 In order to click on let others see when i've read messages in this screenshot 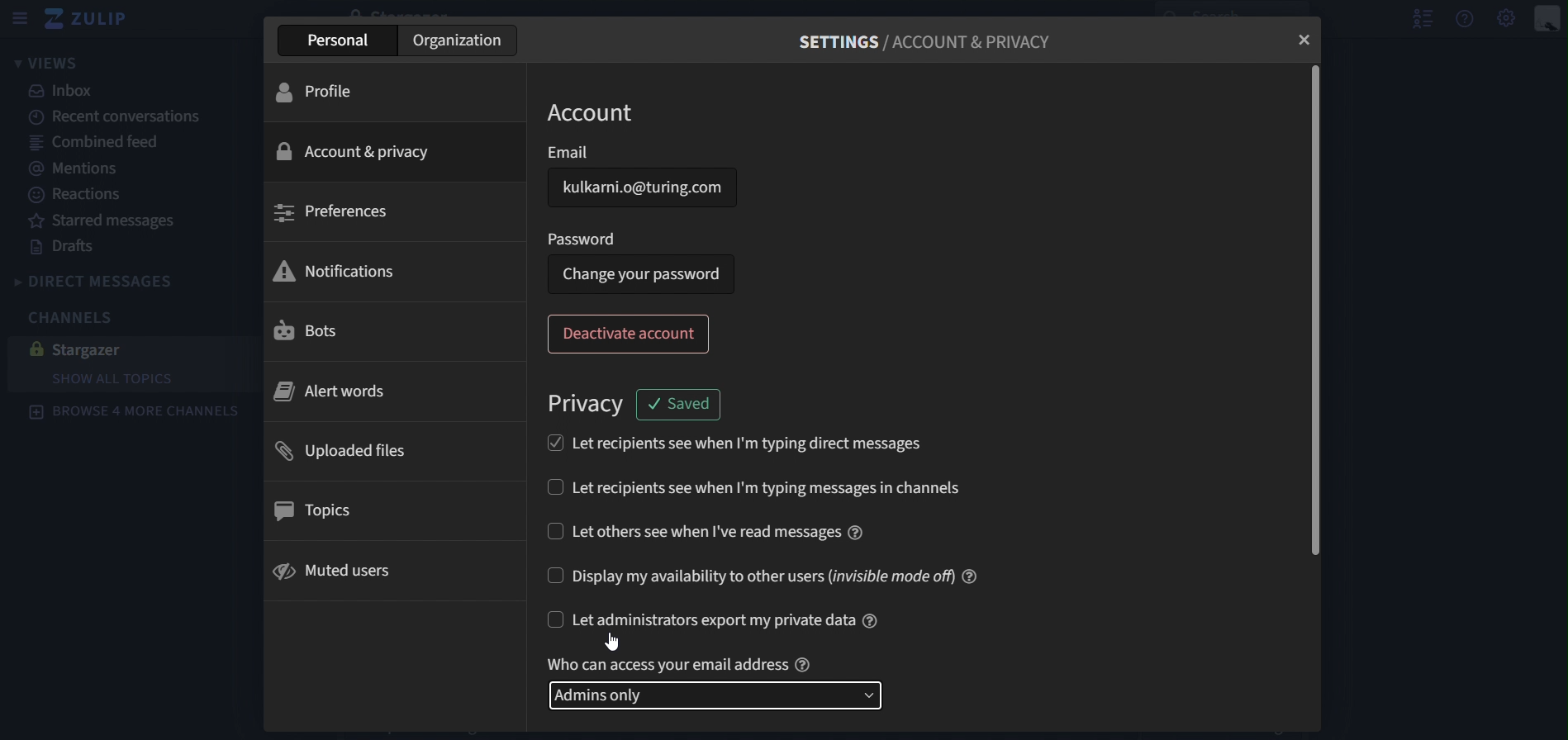, I will do `click(706, 531)`.